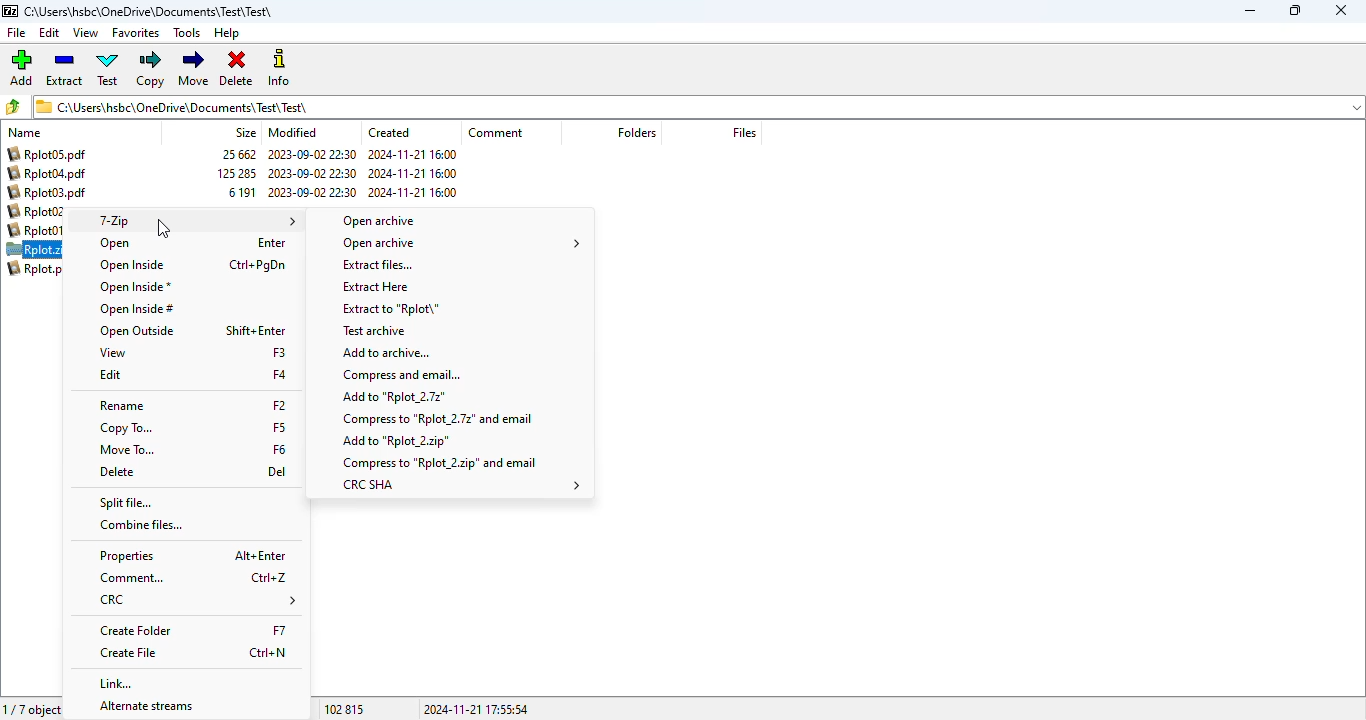  What do you see at coordinates (47, 173) in the screenshot?
I see `Rplot04.pdf` at bounding box center [47, 173].